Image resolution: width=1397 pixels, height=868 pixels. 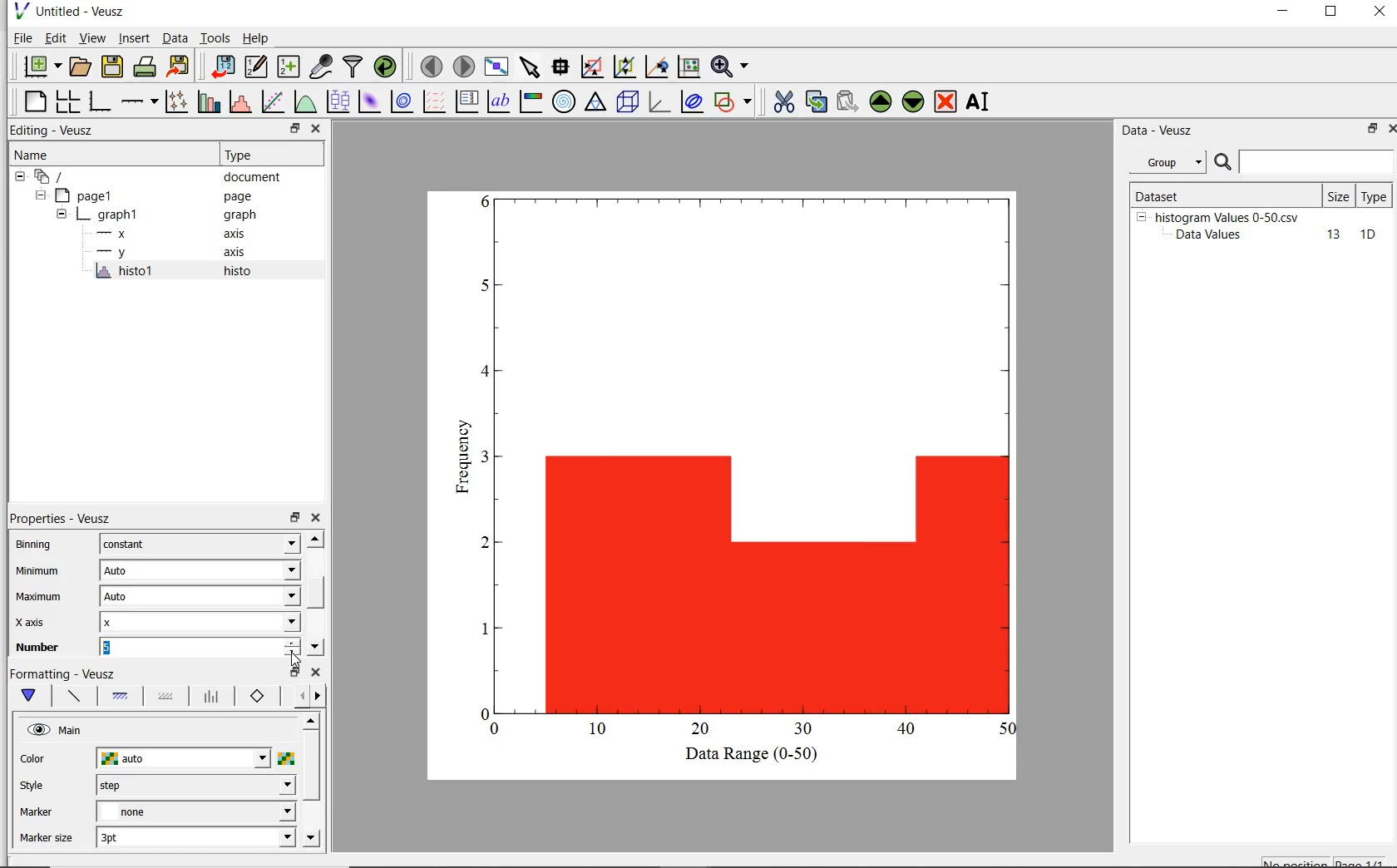 I want to click on rename the selected widget, so click(x=980, y=101).